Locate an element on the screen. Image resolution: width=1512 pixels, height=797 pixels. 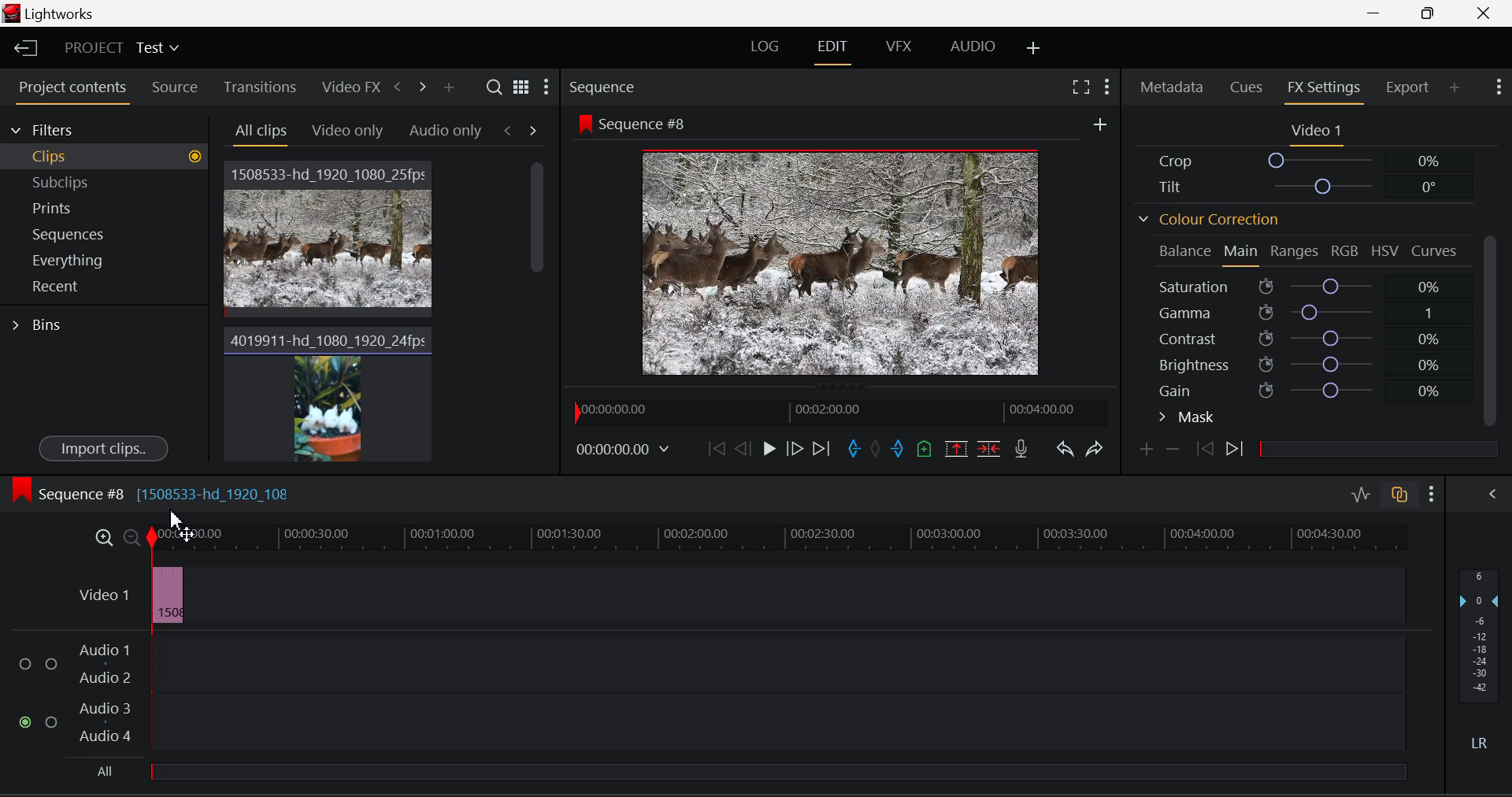
Import Clips is located at coordinates (106, 448).